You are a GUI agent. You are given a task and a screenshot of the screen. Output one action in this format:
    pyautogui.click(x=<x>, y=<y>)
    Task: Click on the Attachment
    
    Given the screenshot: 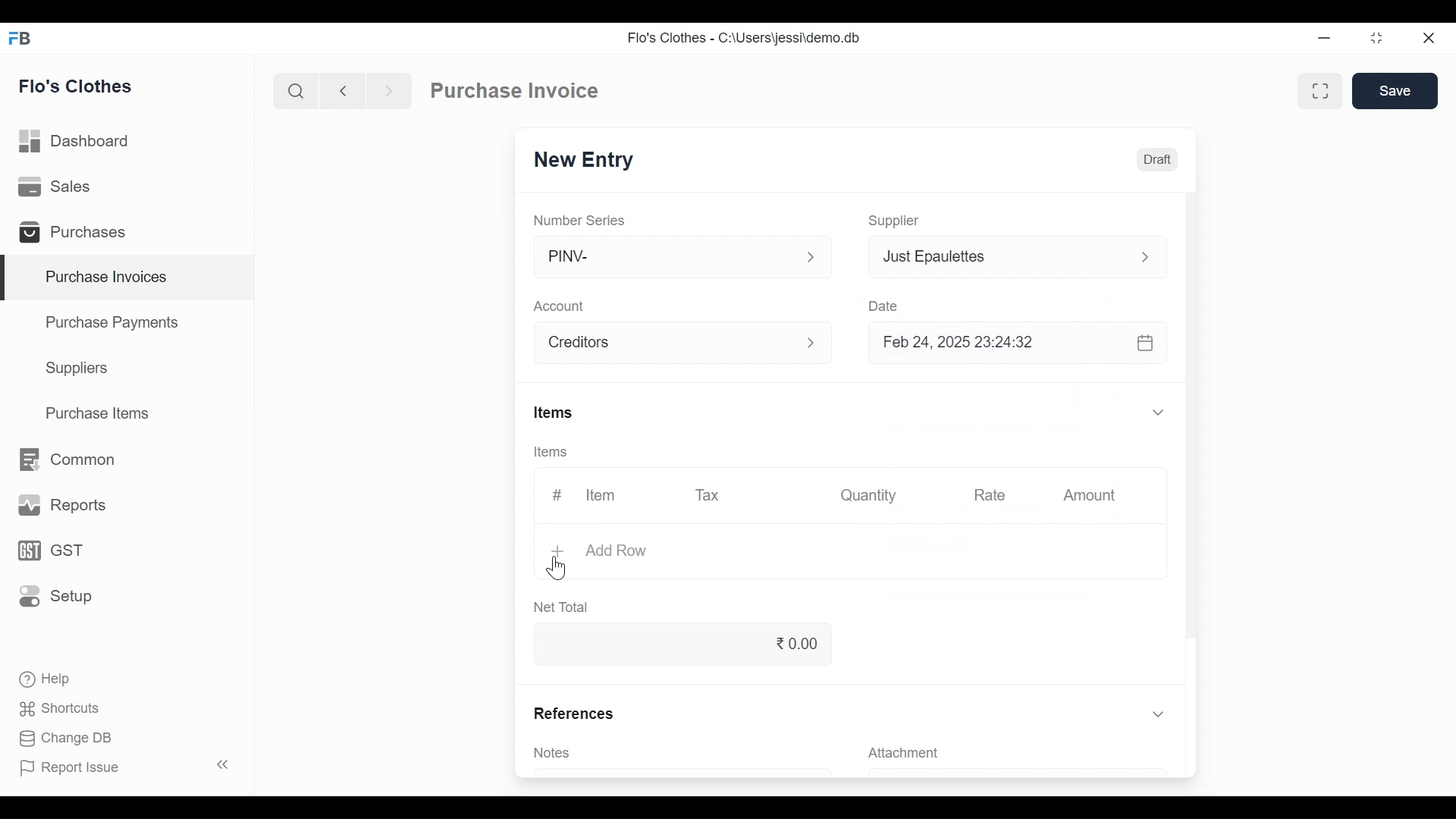 What is the action you would take?
    pyautogui.click(x=906, y=752)
    